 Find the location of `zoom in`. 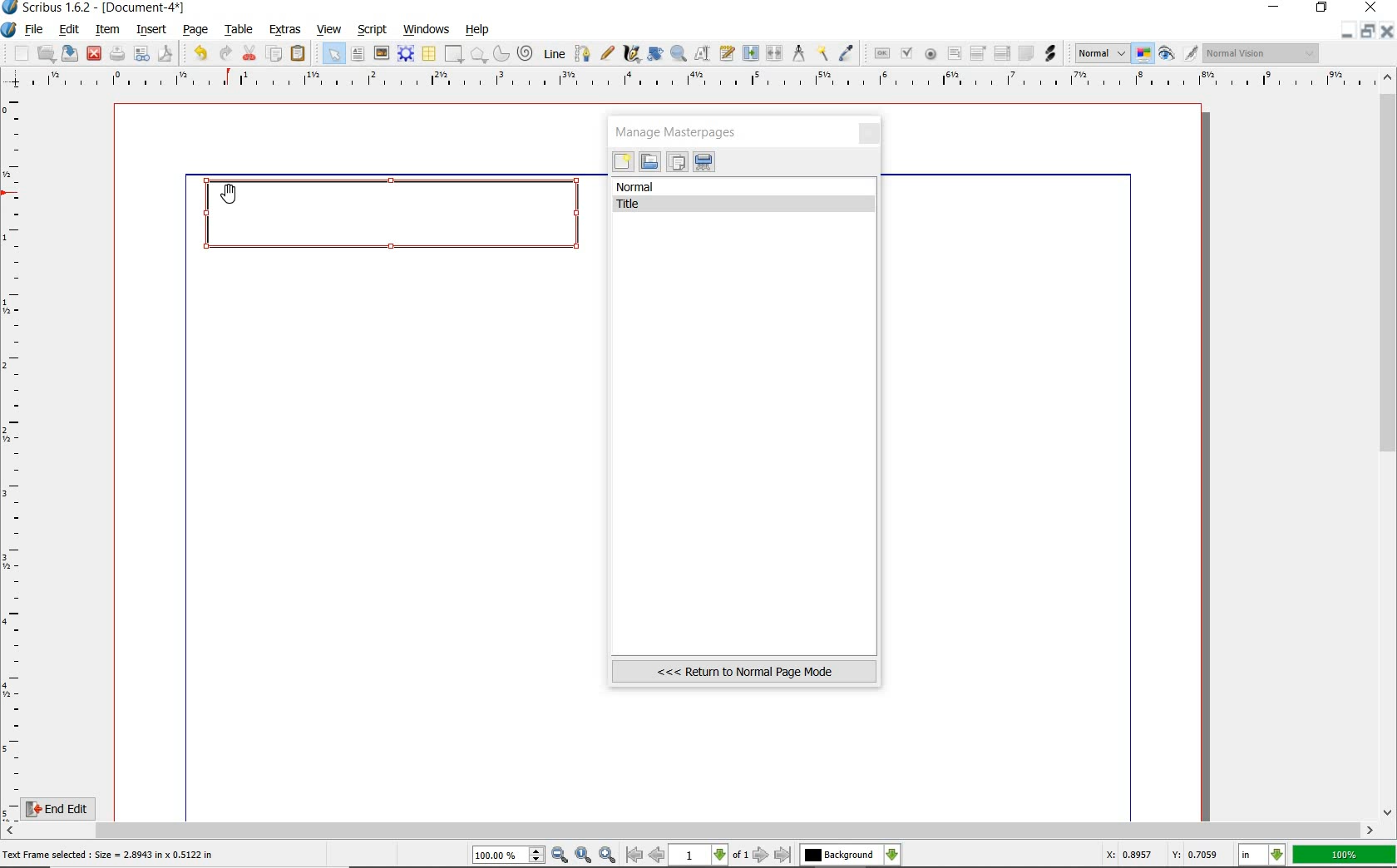

zoom in is located at coordinates (607, 854).